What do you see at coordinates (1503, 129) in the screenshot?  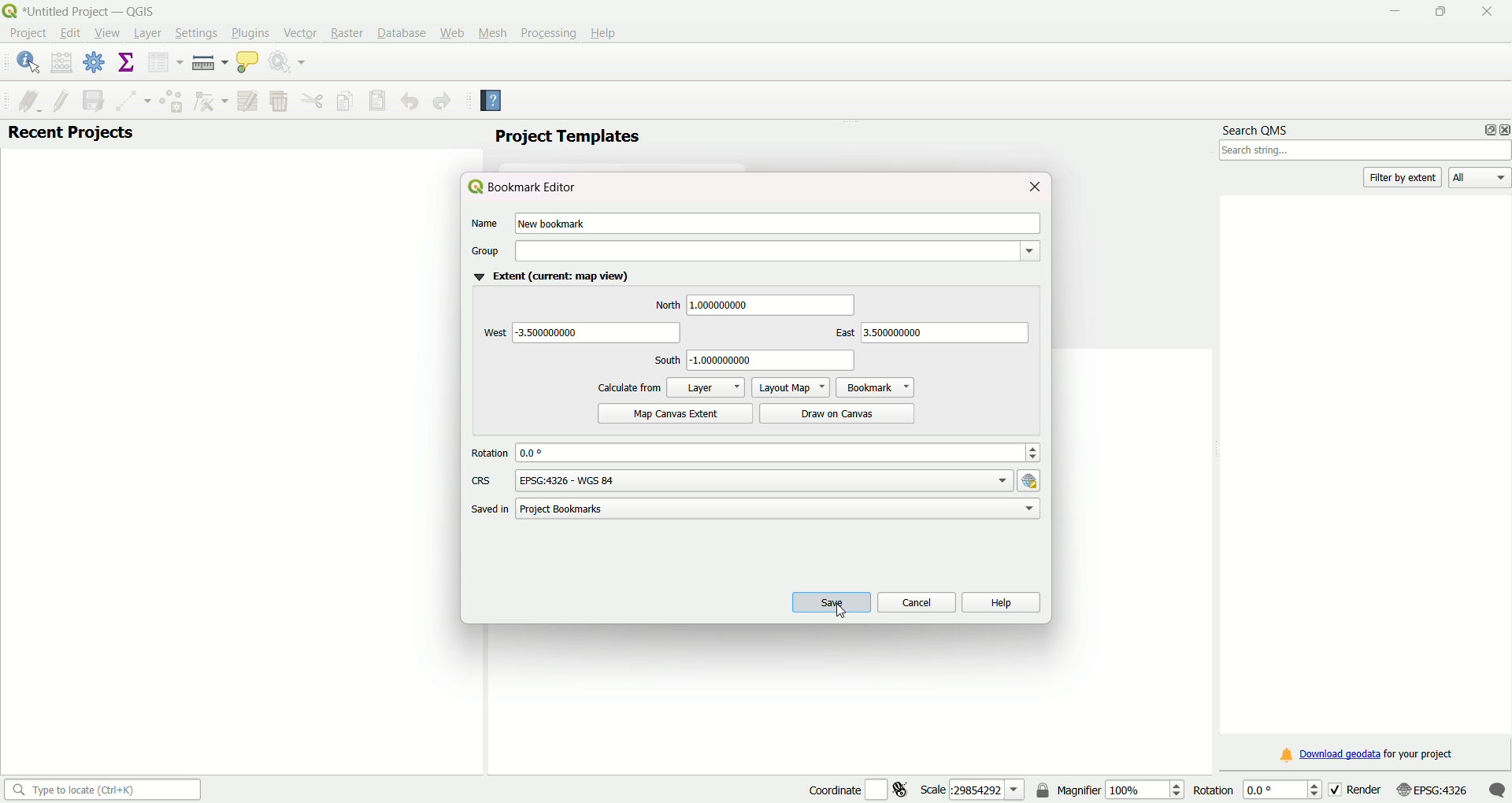 I see `close` at bounding box center [1503, 129].